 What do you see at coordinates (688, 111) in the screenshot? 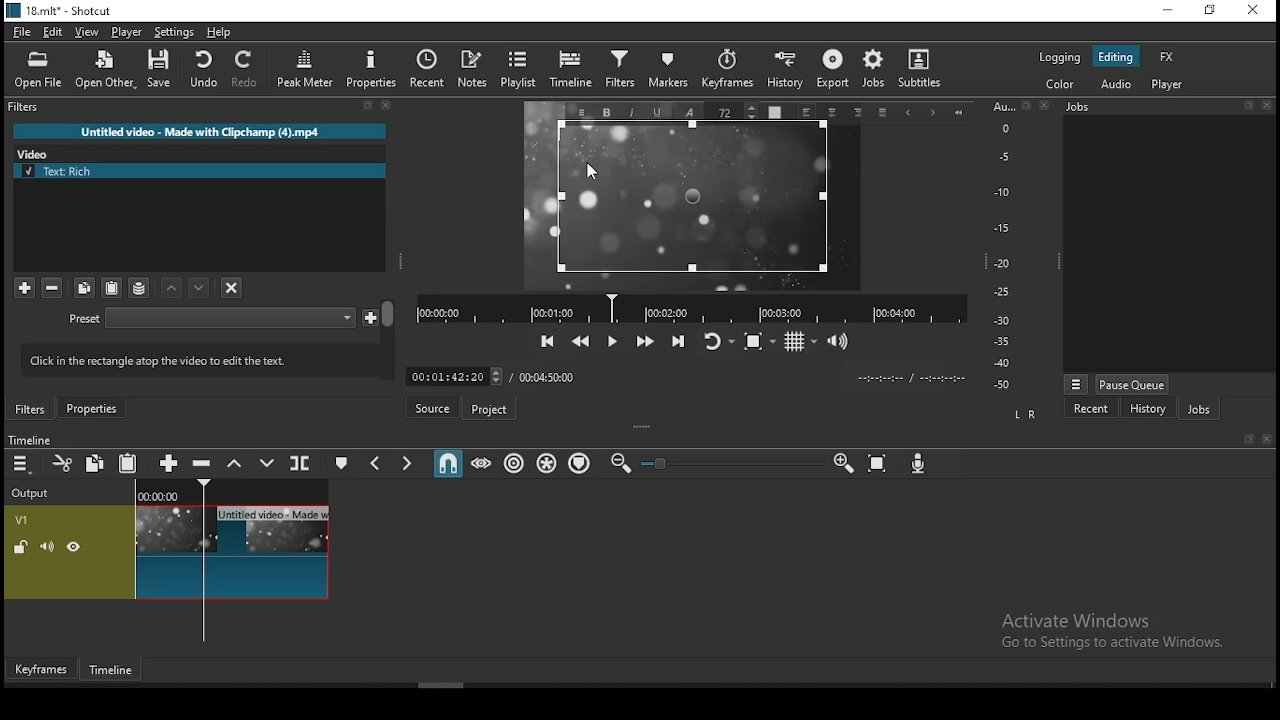
I see `Font Style` at bounding box center [688, 111].